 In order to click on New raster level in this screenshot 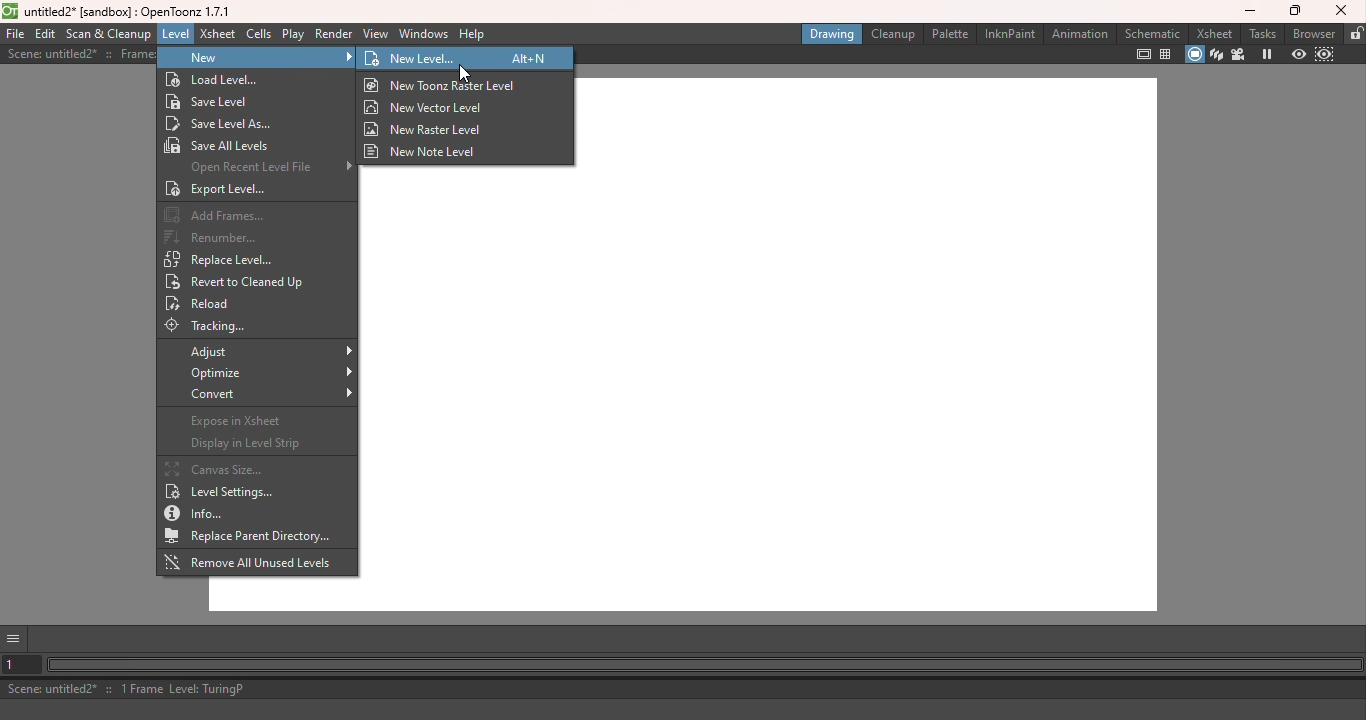, I will do `click(428, 128)`.